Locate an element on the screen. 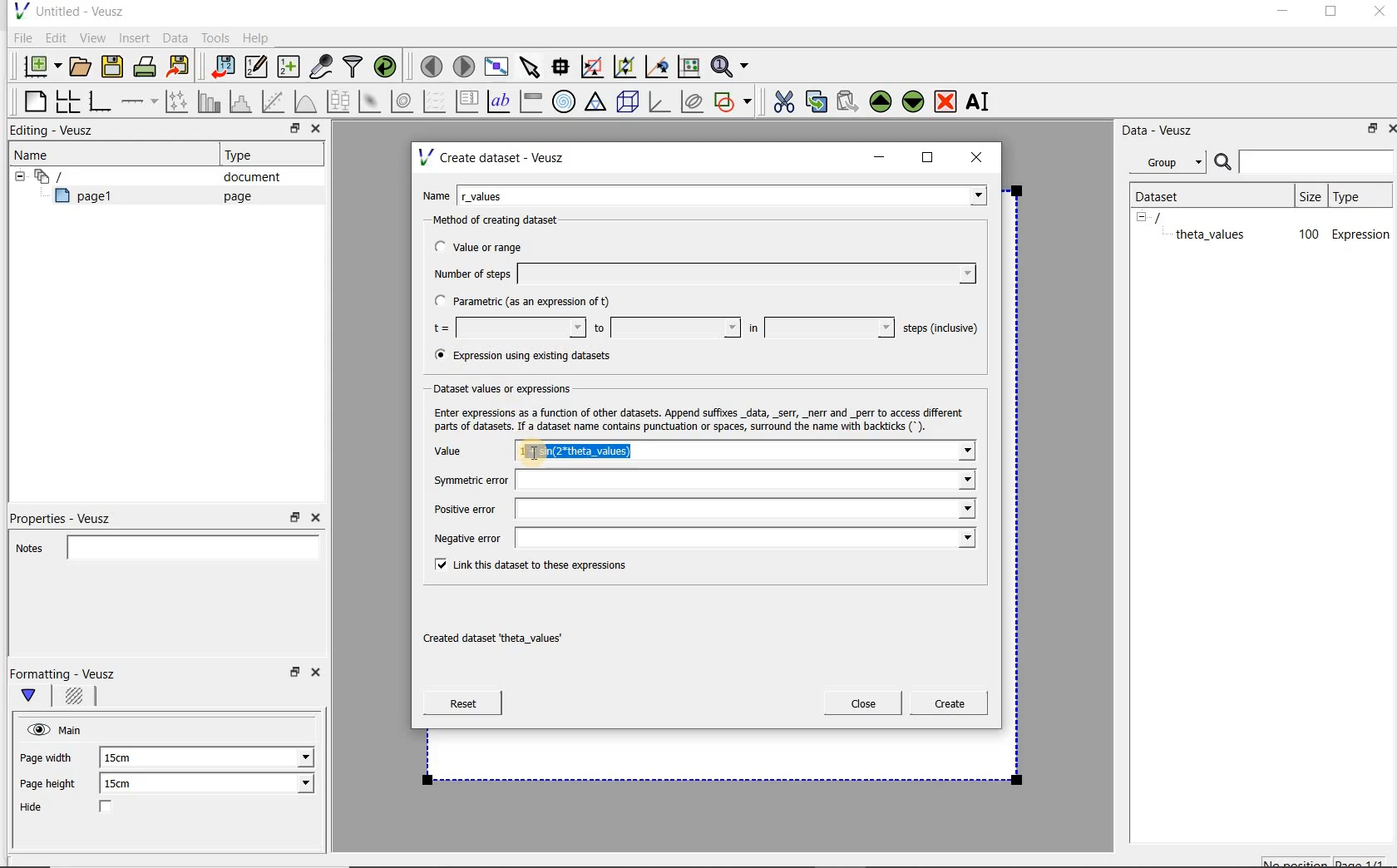  No position is located at coordinates (1297, 861).